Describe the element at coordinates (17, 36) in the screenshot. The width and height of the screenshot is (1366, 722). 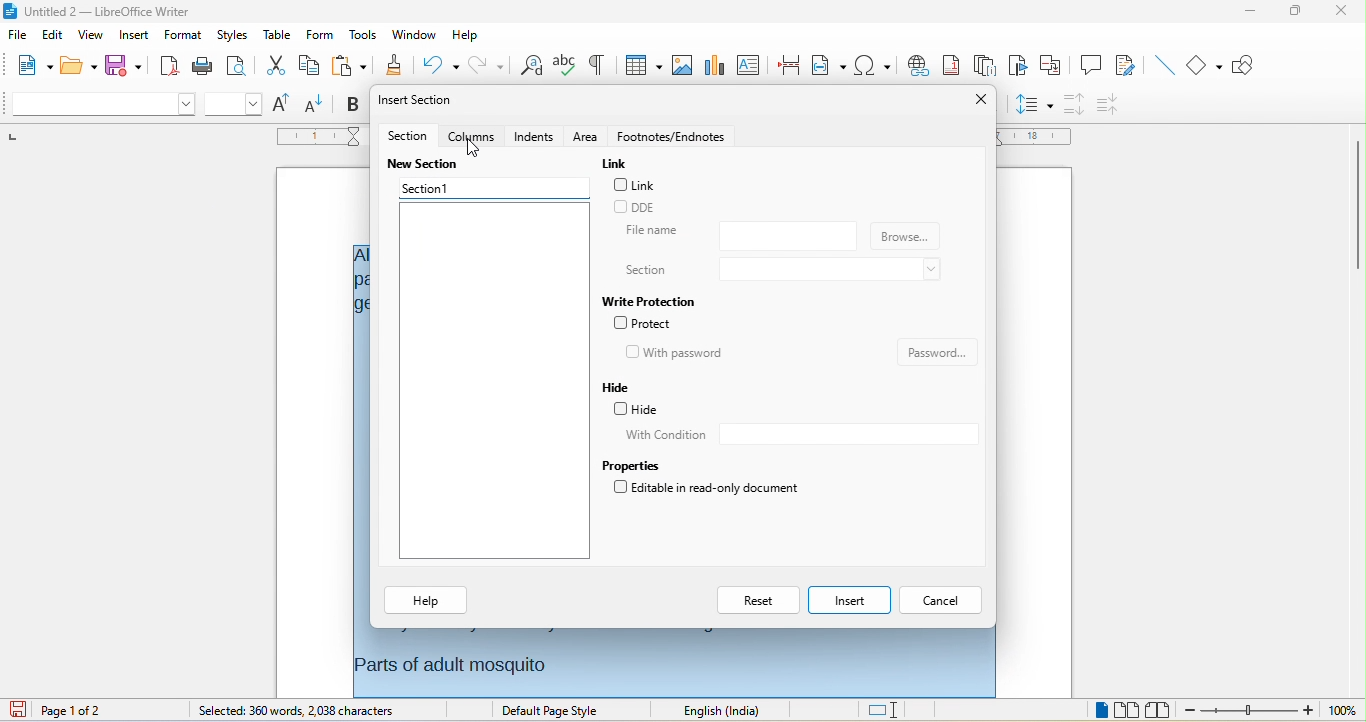
I see `file` at that location.